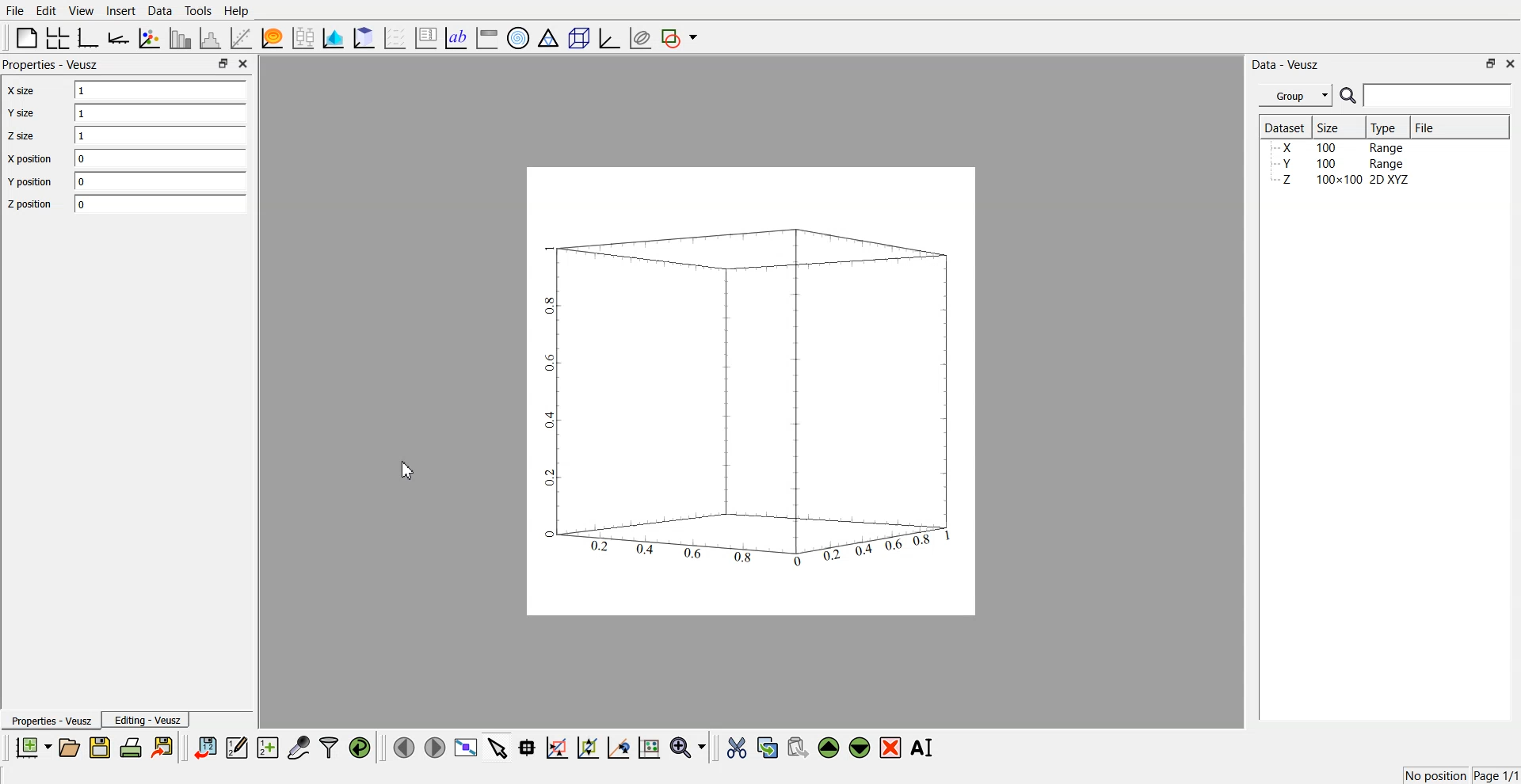  I want to click on Move down the selected widget, so click(860, 748).